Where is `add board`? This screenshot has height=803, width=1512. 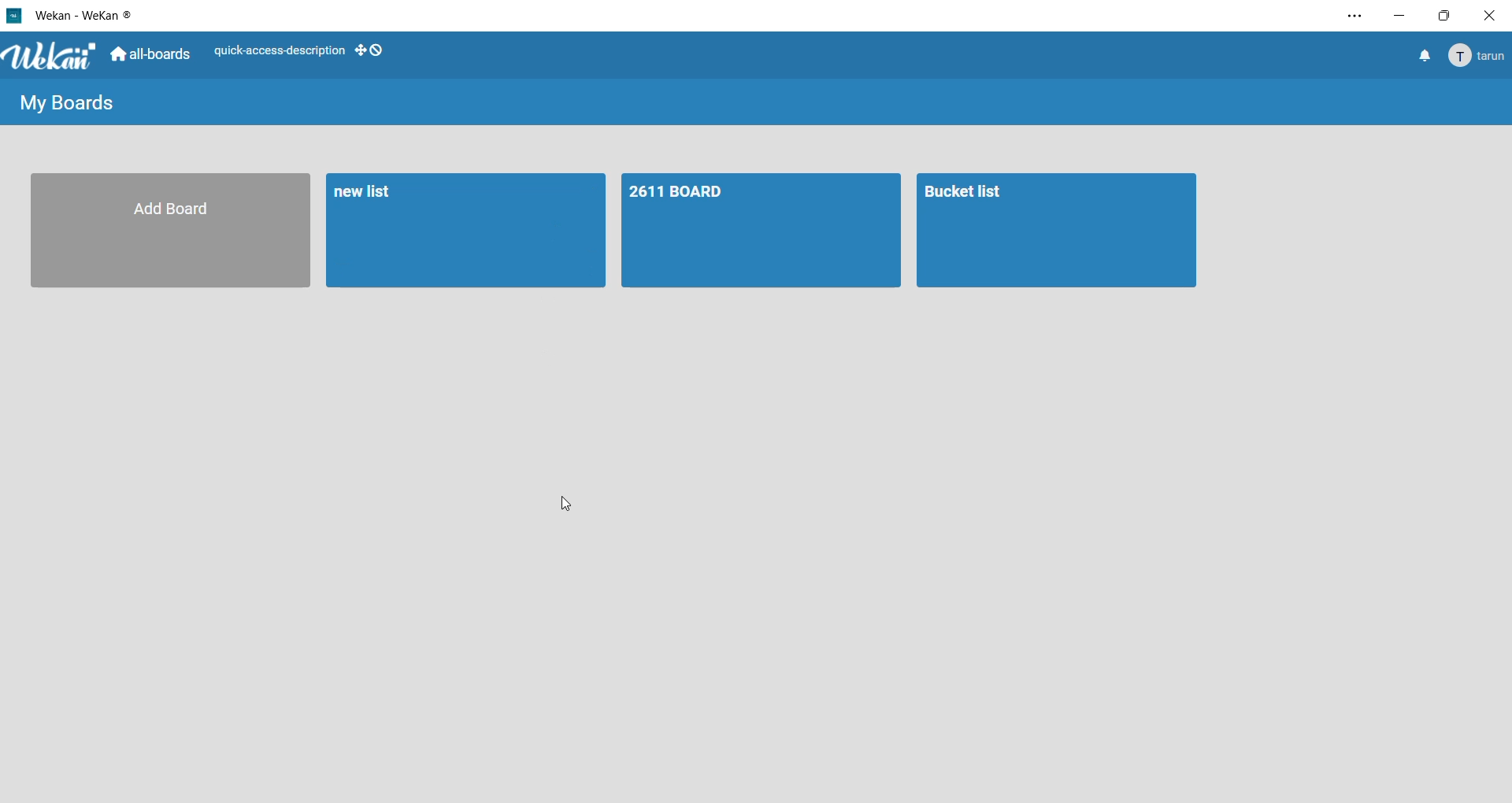
add board is located at coordinates (166, 233).